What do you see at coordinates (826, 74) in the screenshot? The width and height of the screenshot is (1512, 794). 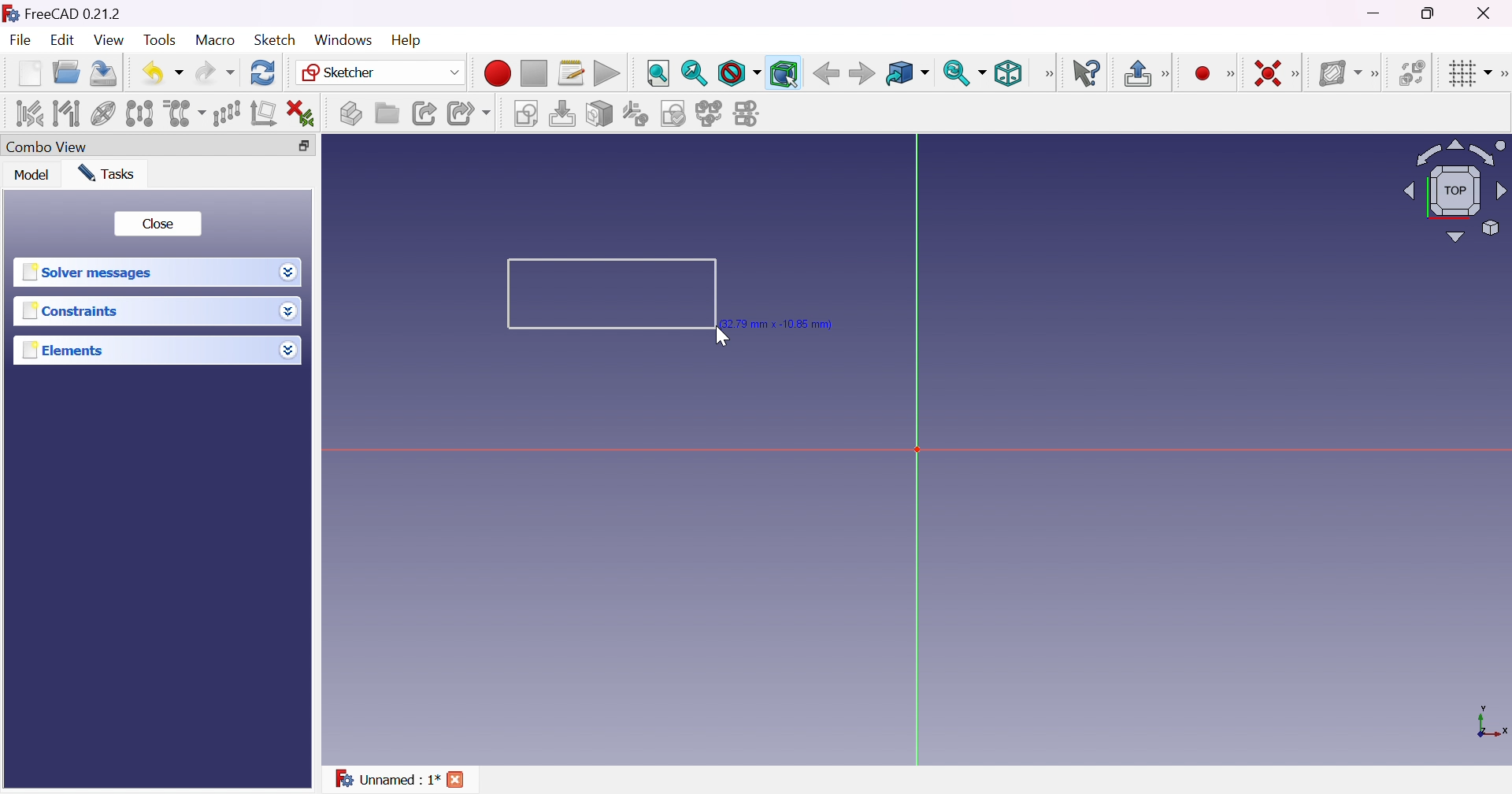 I see `Back` at bounding box center [826, 74].